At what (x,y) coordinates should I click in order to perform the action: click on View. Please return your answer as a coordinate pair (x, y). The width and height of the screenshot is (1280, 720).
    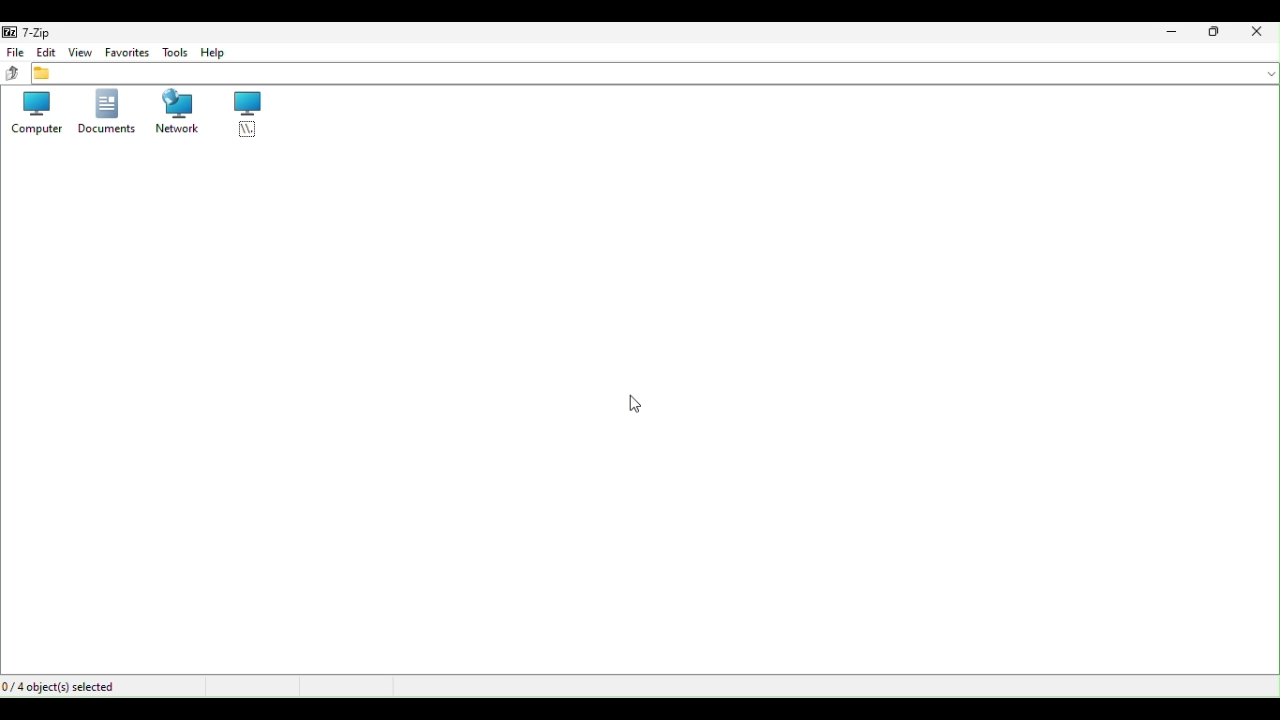
    Looking at the image, I should click on (79, 52).